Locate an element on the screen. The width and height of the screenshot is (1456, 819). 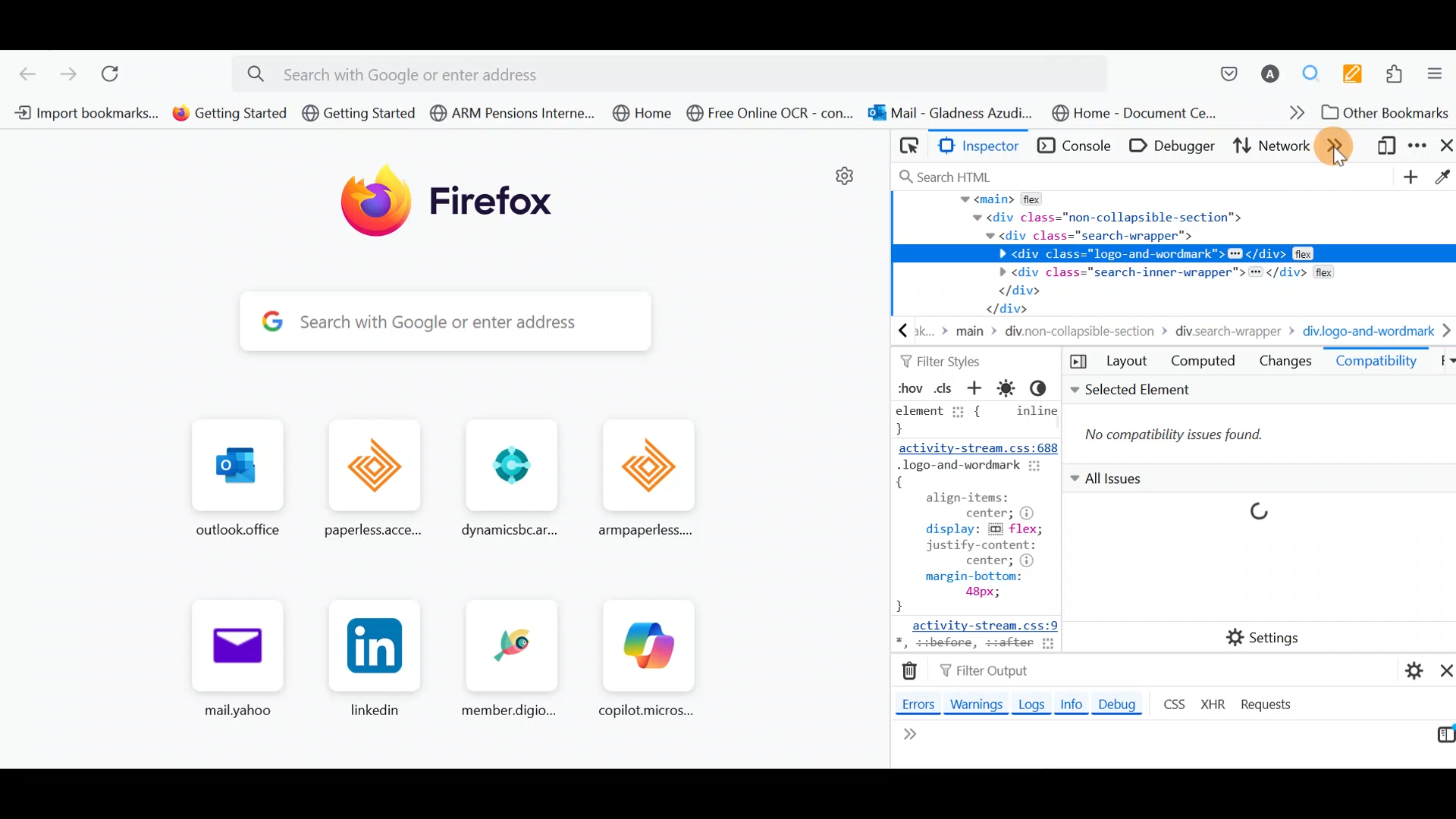
Layout is located at coordinates (1126, 363).